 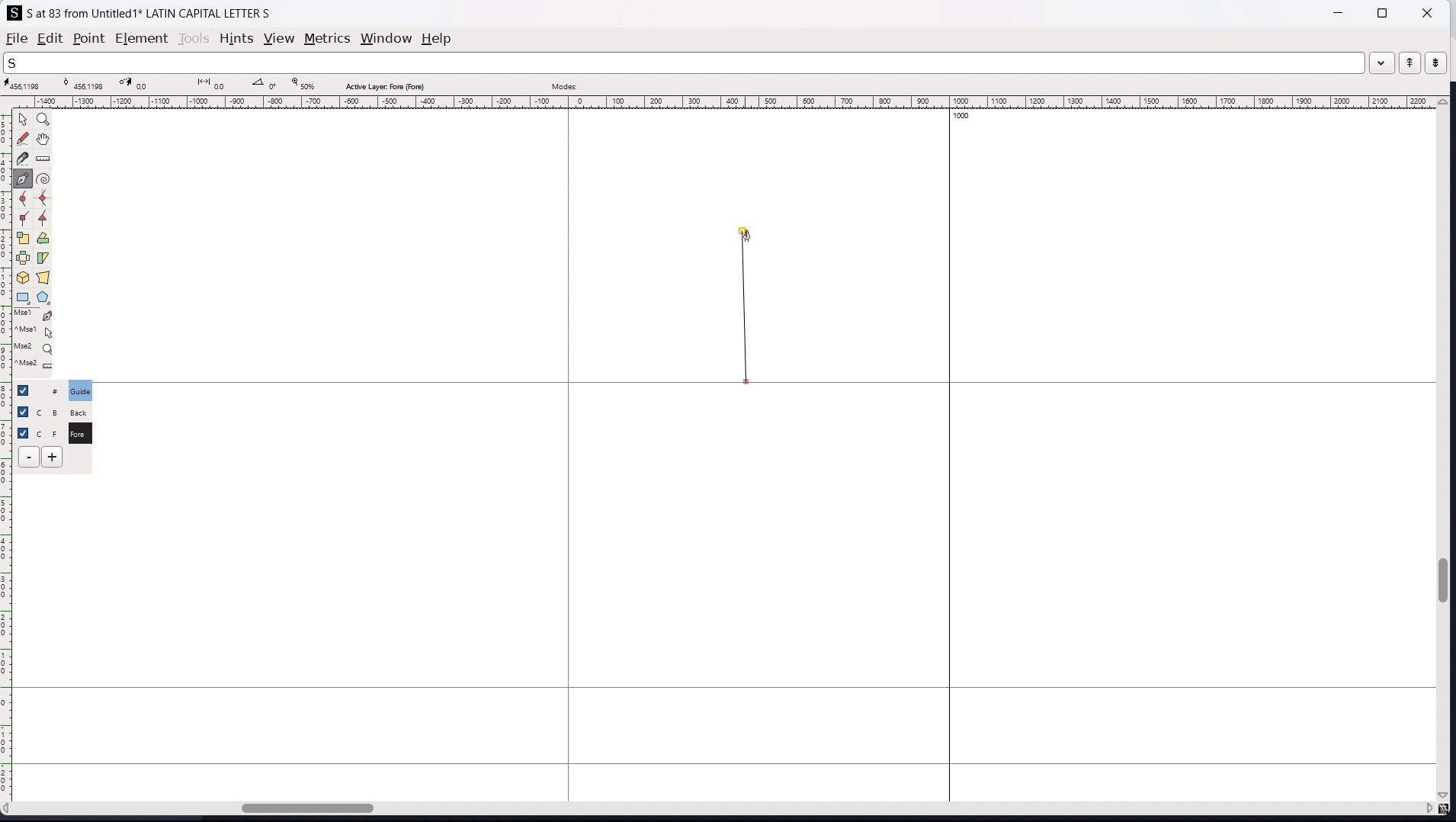 I want to click on S at 83 from Untitled 1 LATIN CAPITAL LETTER S, so click(x=149, y=12).